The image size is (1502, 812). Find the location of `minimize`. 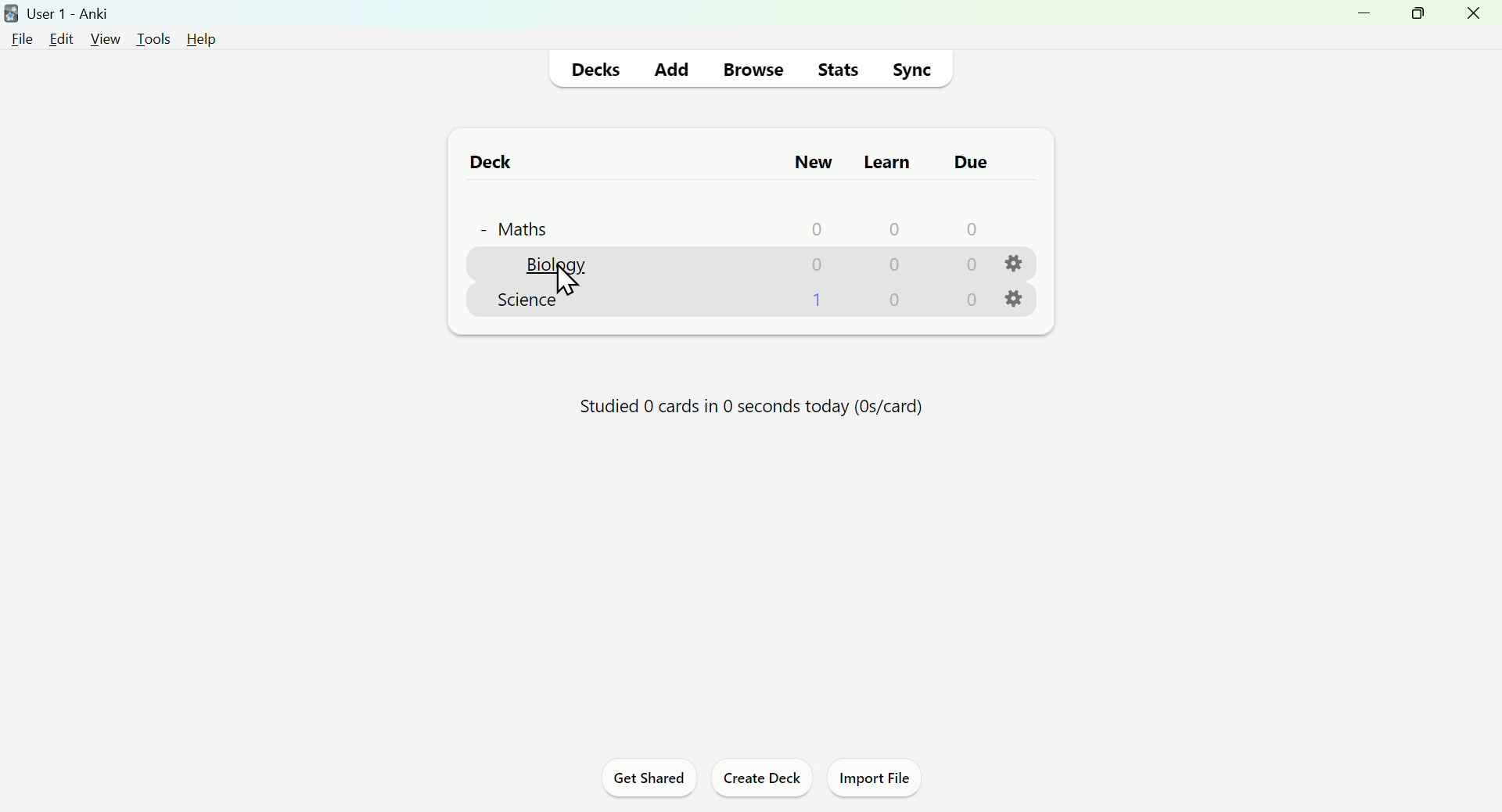

minimize is located at coordinates (1367, 16).